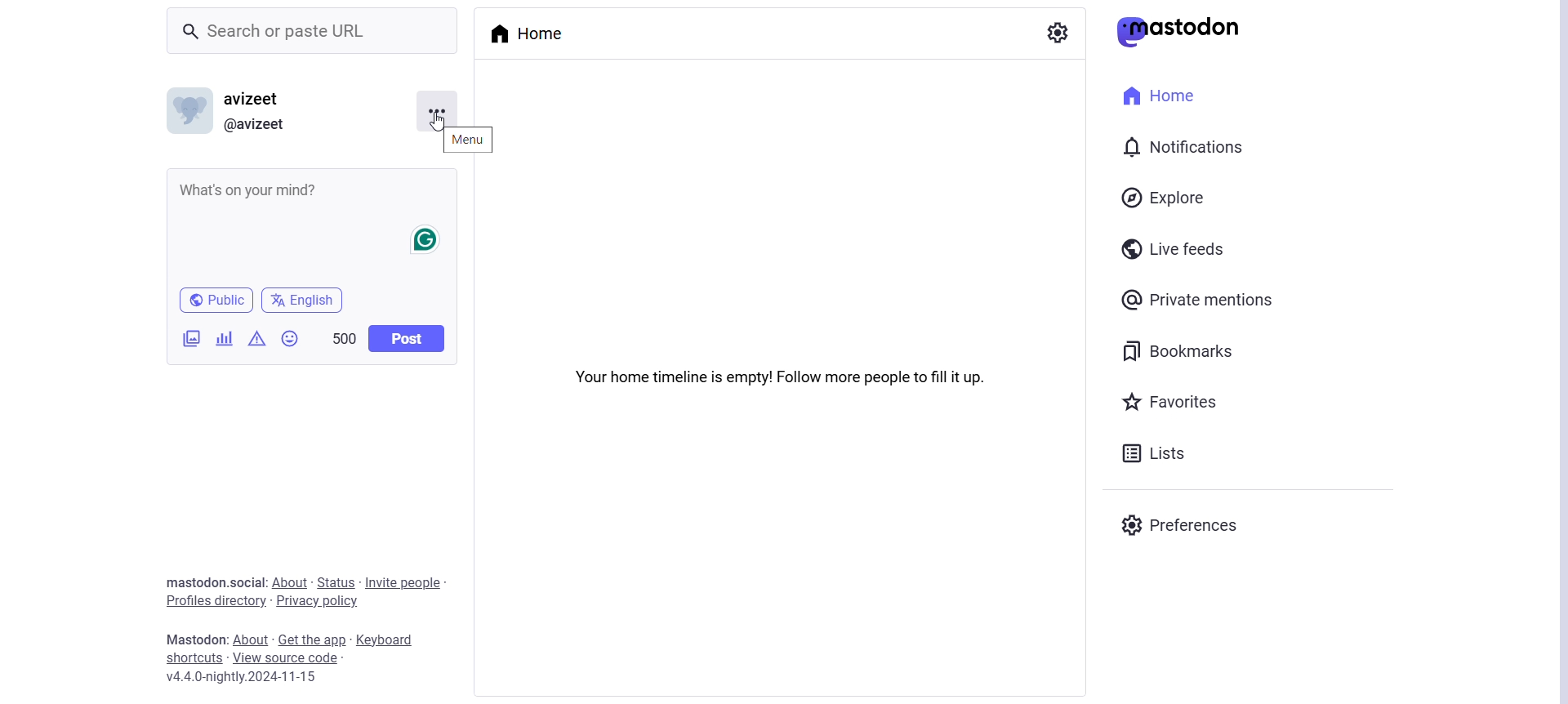 Image resolution: width=1568 pixels, height=704 pixels. Describe the element at coordinates (1187, 350) in the screenshot. I see `Bookmarks` at that location.